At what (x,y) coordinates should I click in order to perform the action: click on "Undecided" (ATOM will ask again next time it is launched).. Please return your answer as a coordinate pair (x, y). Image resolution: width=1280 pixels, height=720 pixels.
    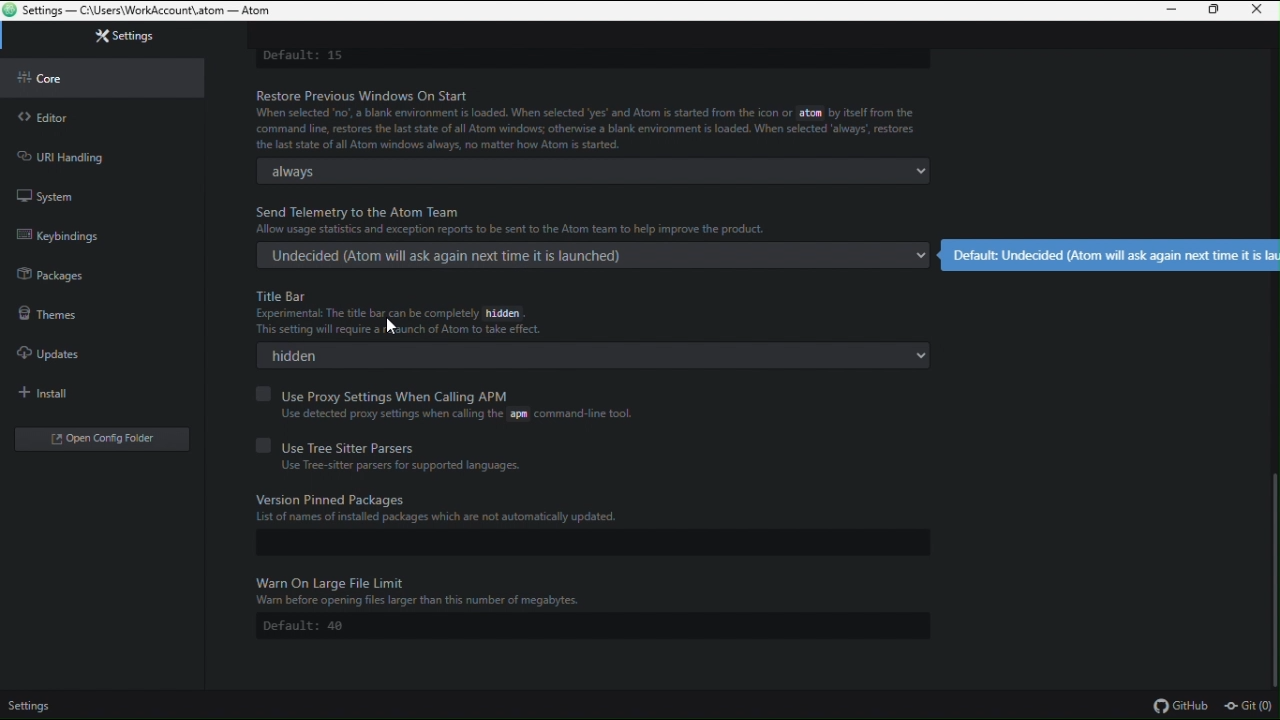
    Looking at the image, I should click on (591, 257).